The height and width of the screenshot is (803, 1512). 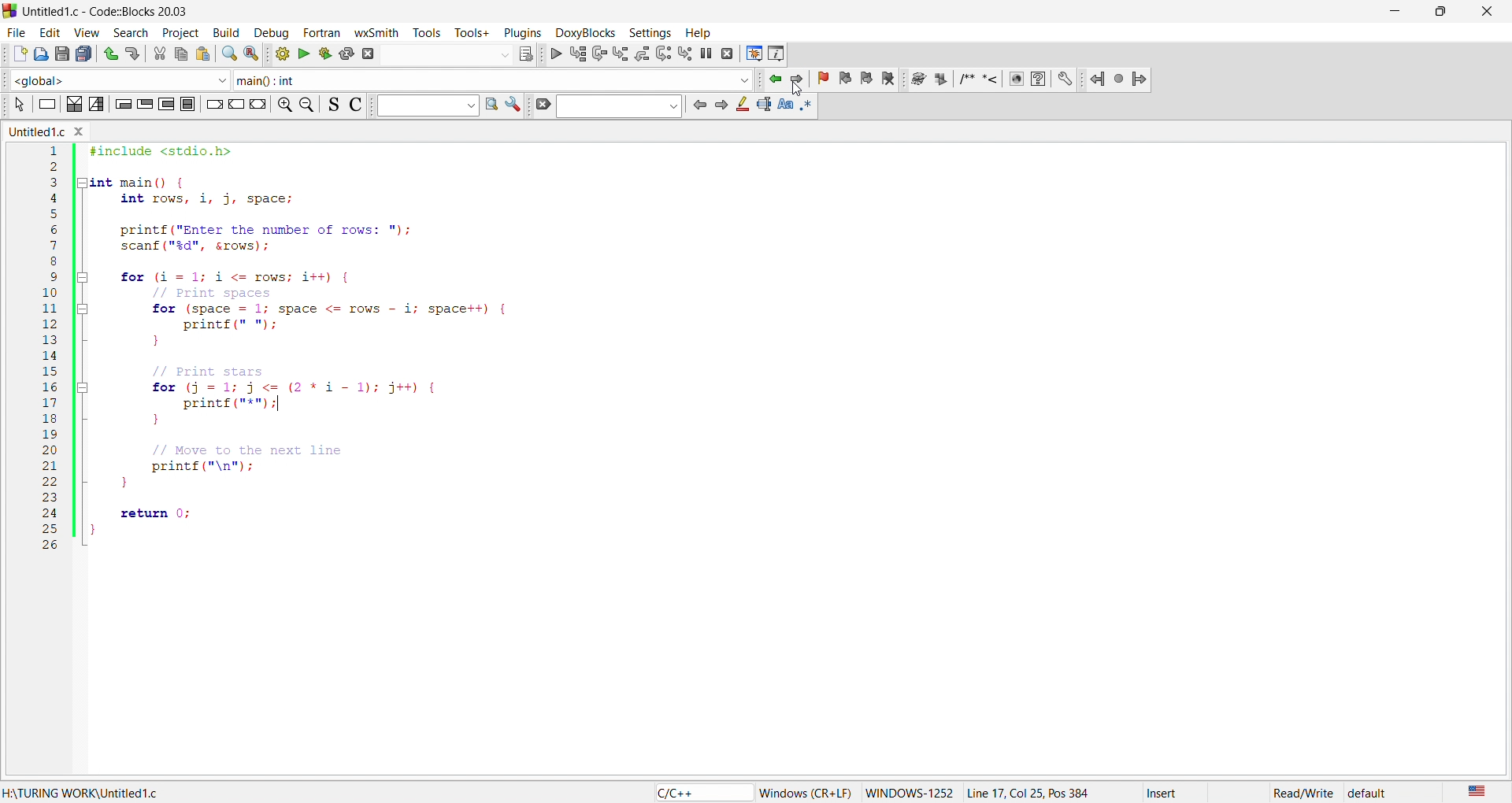 I want to click on open file, so click(x=40, y=54).